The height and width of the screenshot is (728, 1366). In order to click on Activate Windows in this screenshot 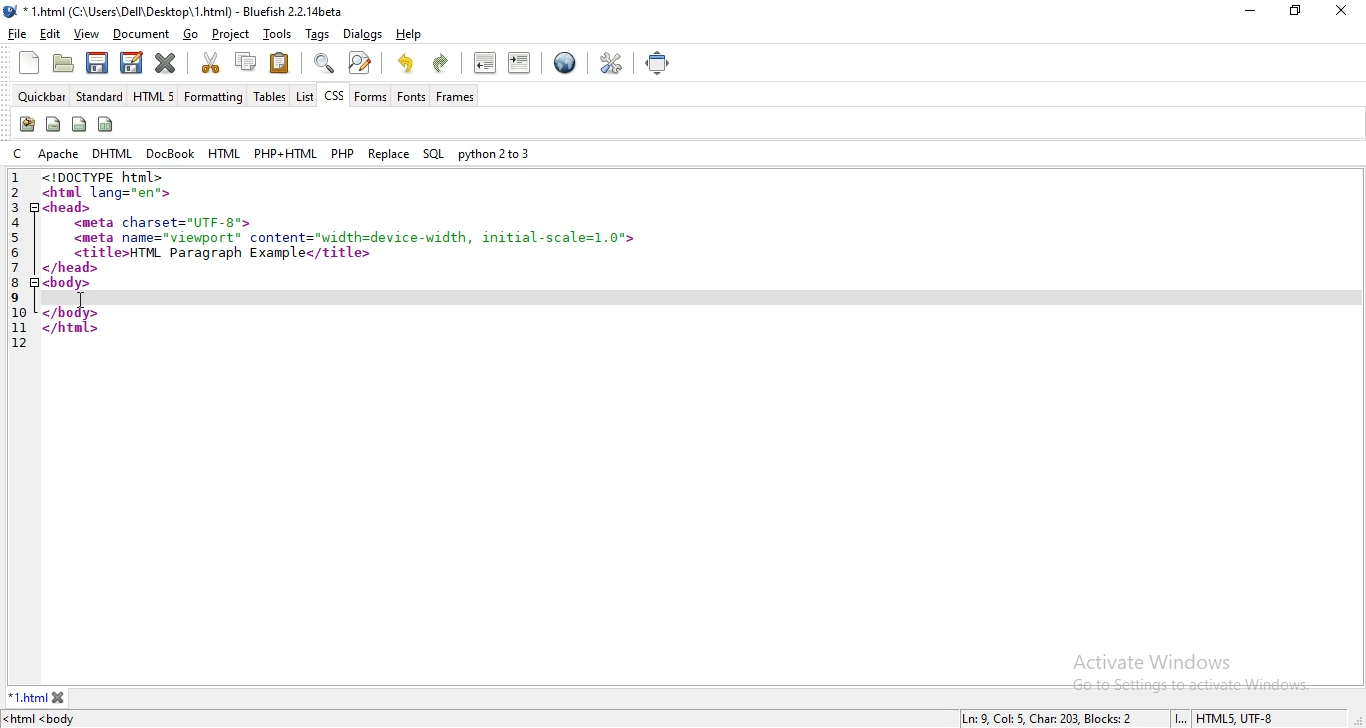, I will do `click(1157, 661)`.